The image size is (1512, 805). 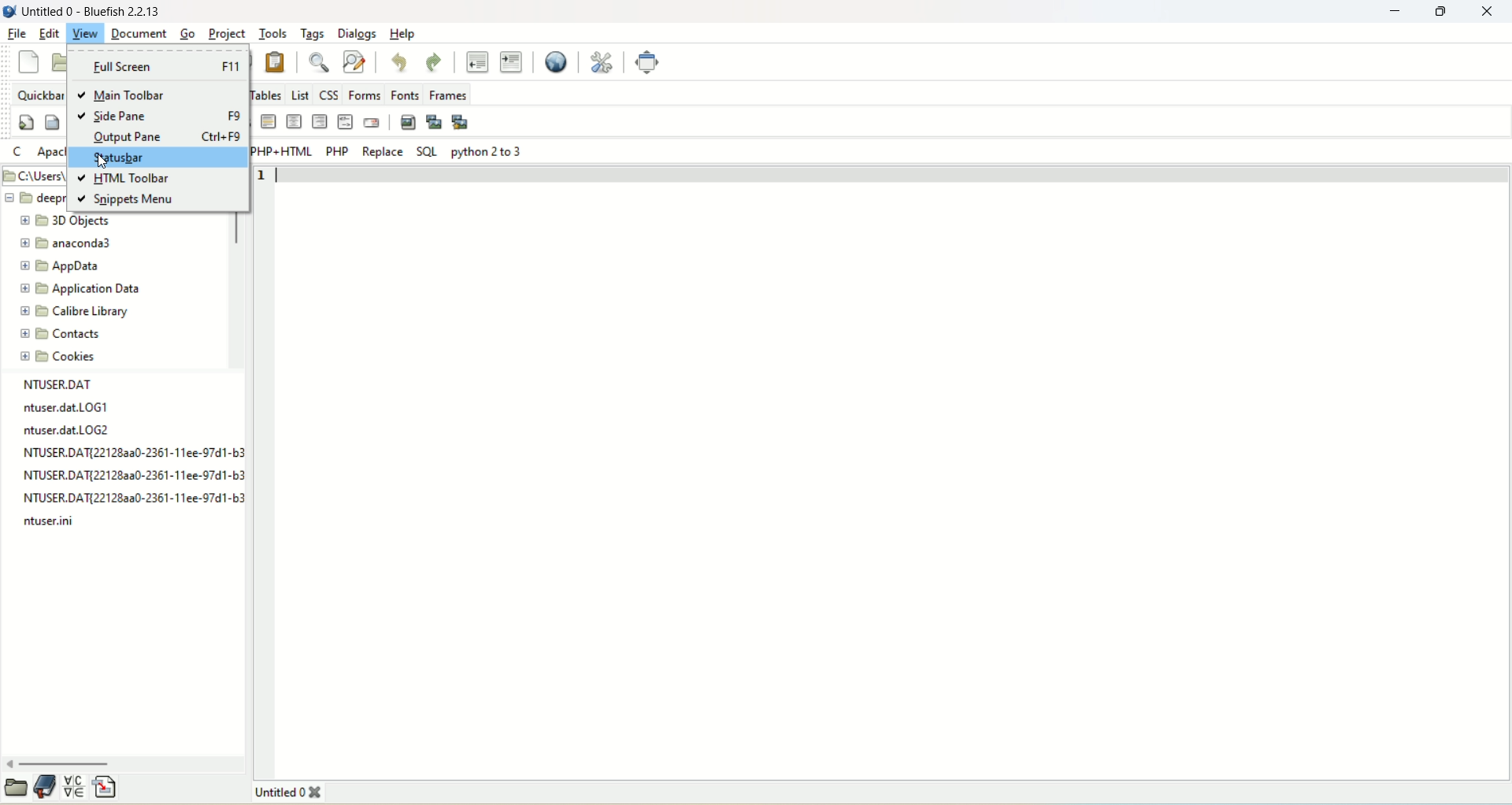 What do you see at coordinates (50, 153) in the screenshot?
I see `apache` at bounding box center [50, 153].